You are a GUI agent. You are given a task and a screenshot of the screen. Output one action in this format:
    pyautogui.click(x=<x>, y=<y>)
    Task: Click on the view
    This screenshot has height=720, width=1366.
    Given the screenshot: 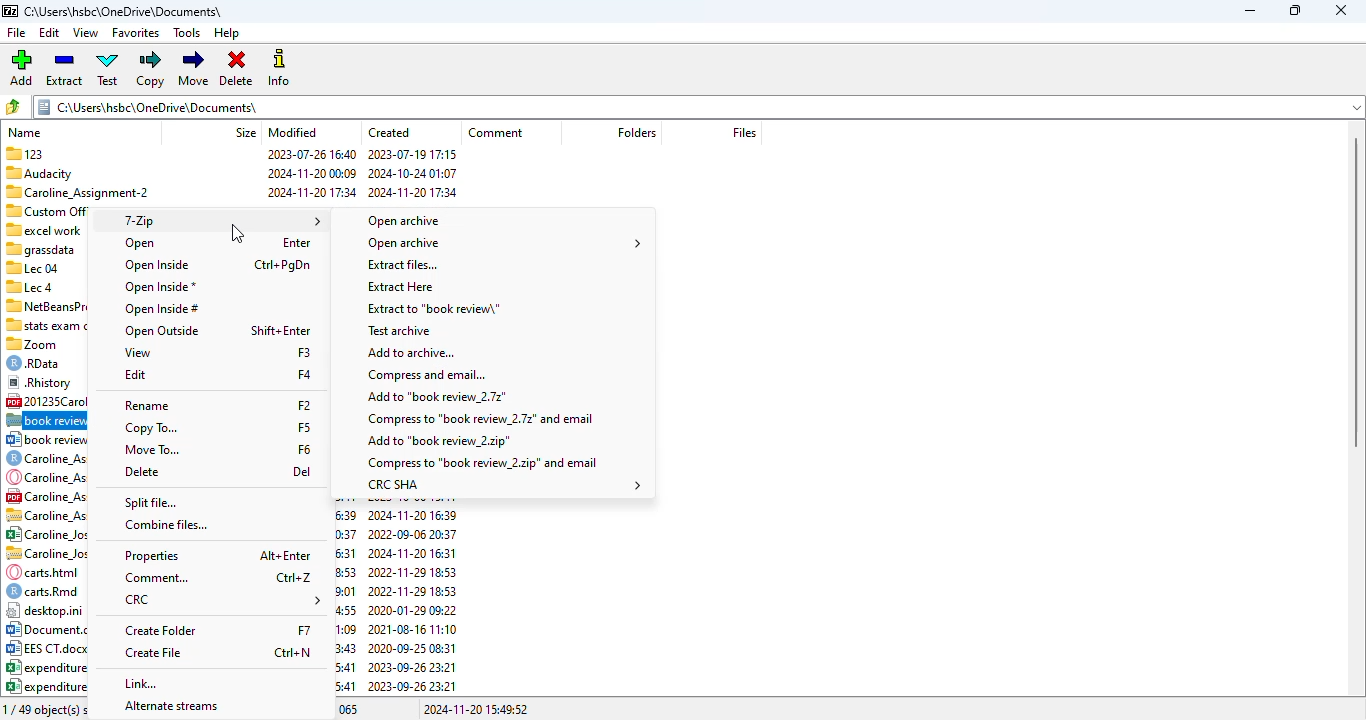 What is the action you would take?
    pyautogui.click(x=85, y=33)
    